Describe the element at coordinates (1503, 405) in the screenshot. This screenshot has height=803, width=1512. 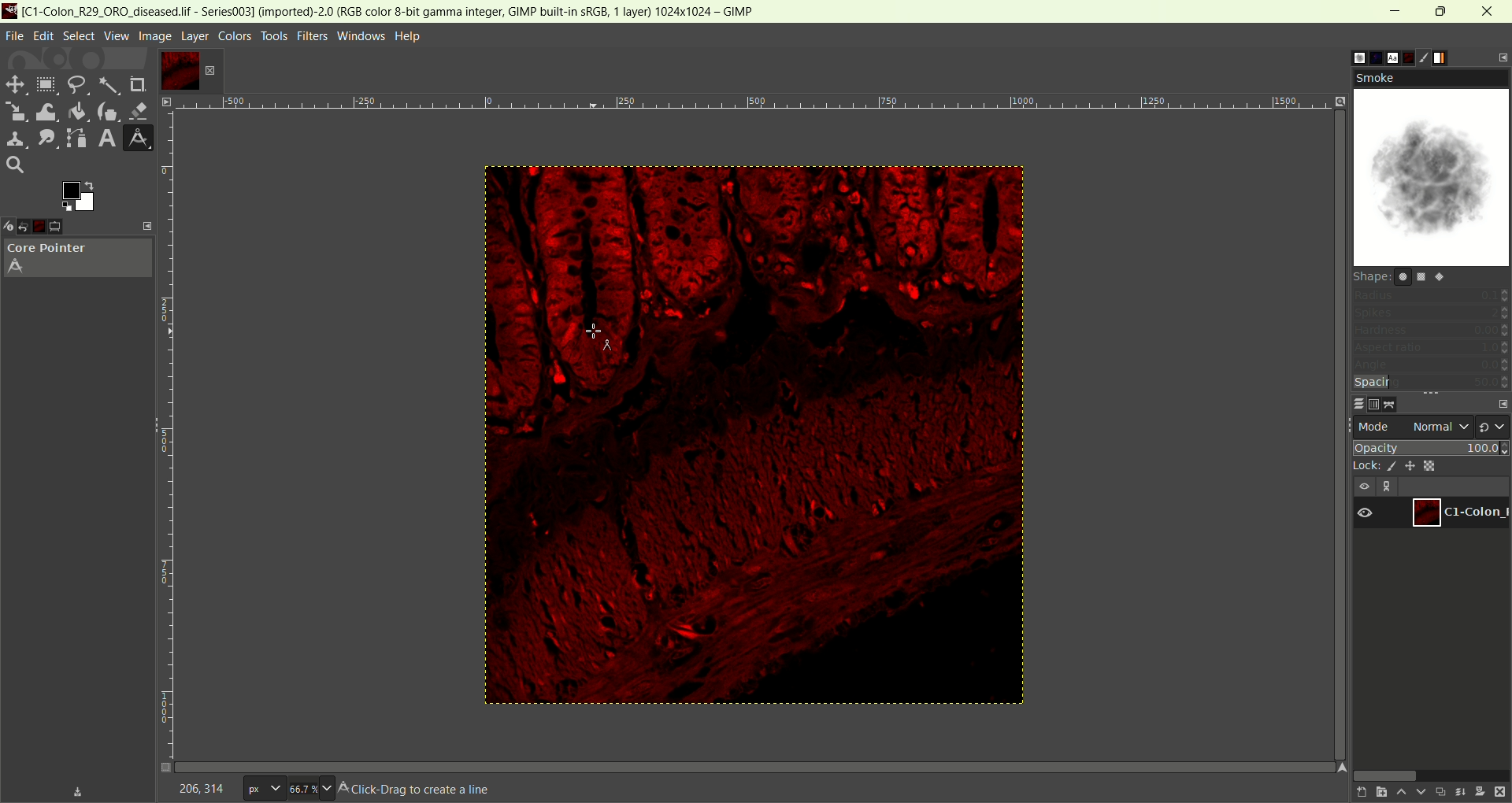
I see `configure this tab` at that location.